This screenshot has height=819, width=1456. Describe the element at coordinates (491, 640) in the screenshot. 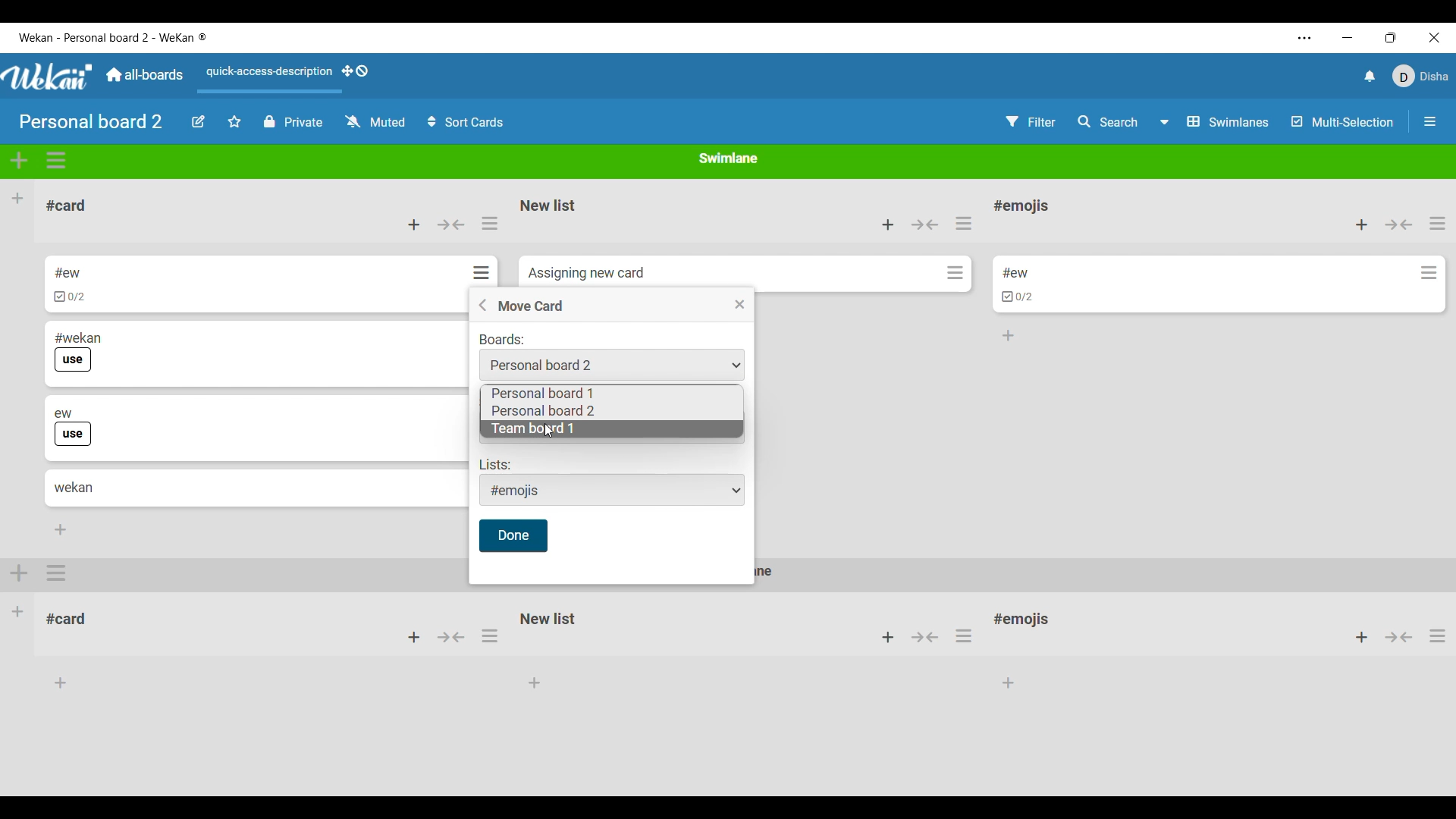

I see `options` at that location.